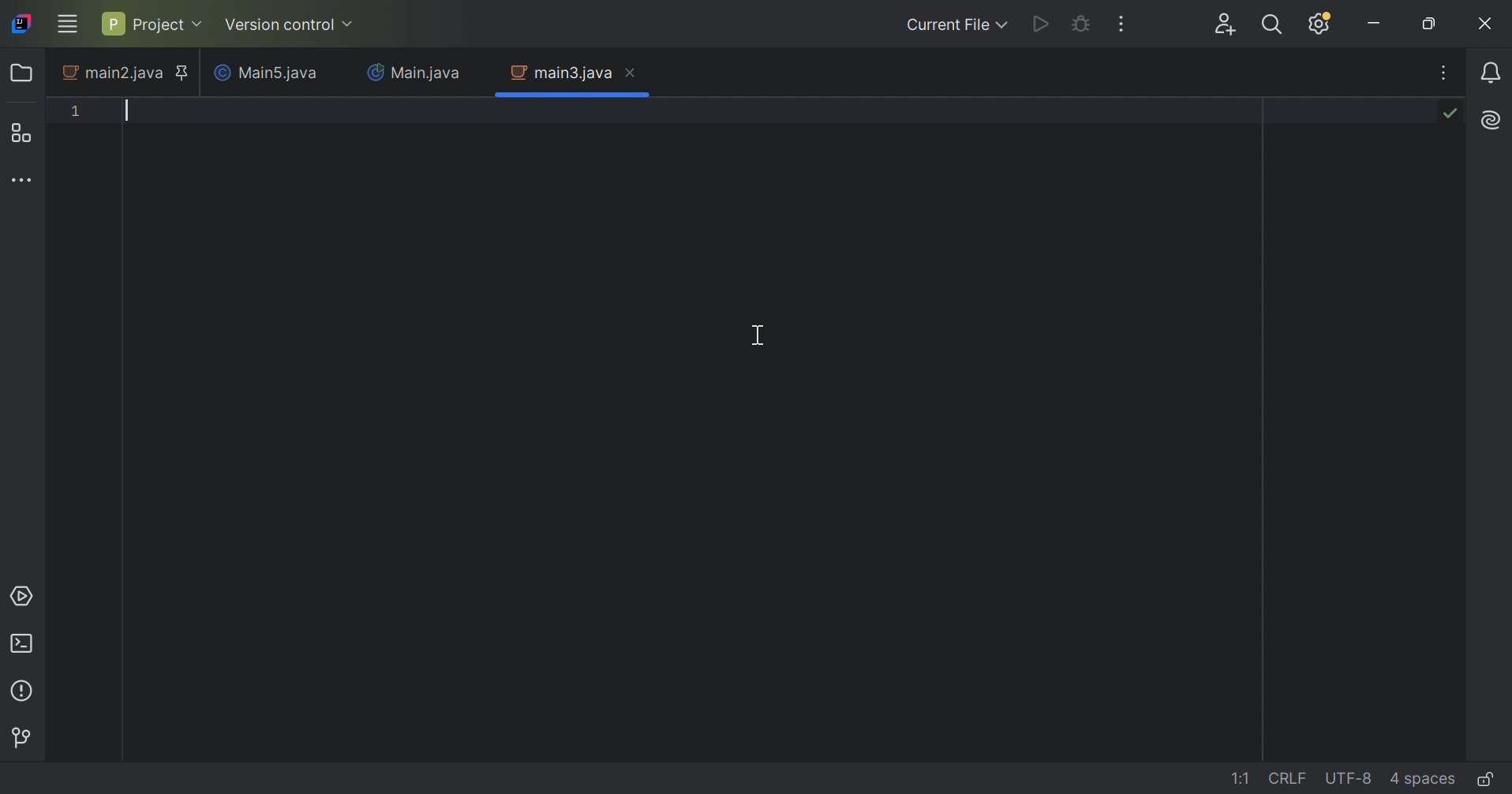  I want to click on Services, so click(23, 597).